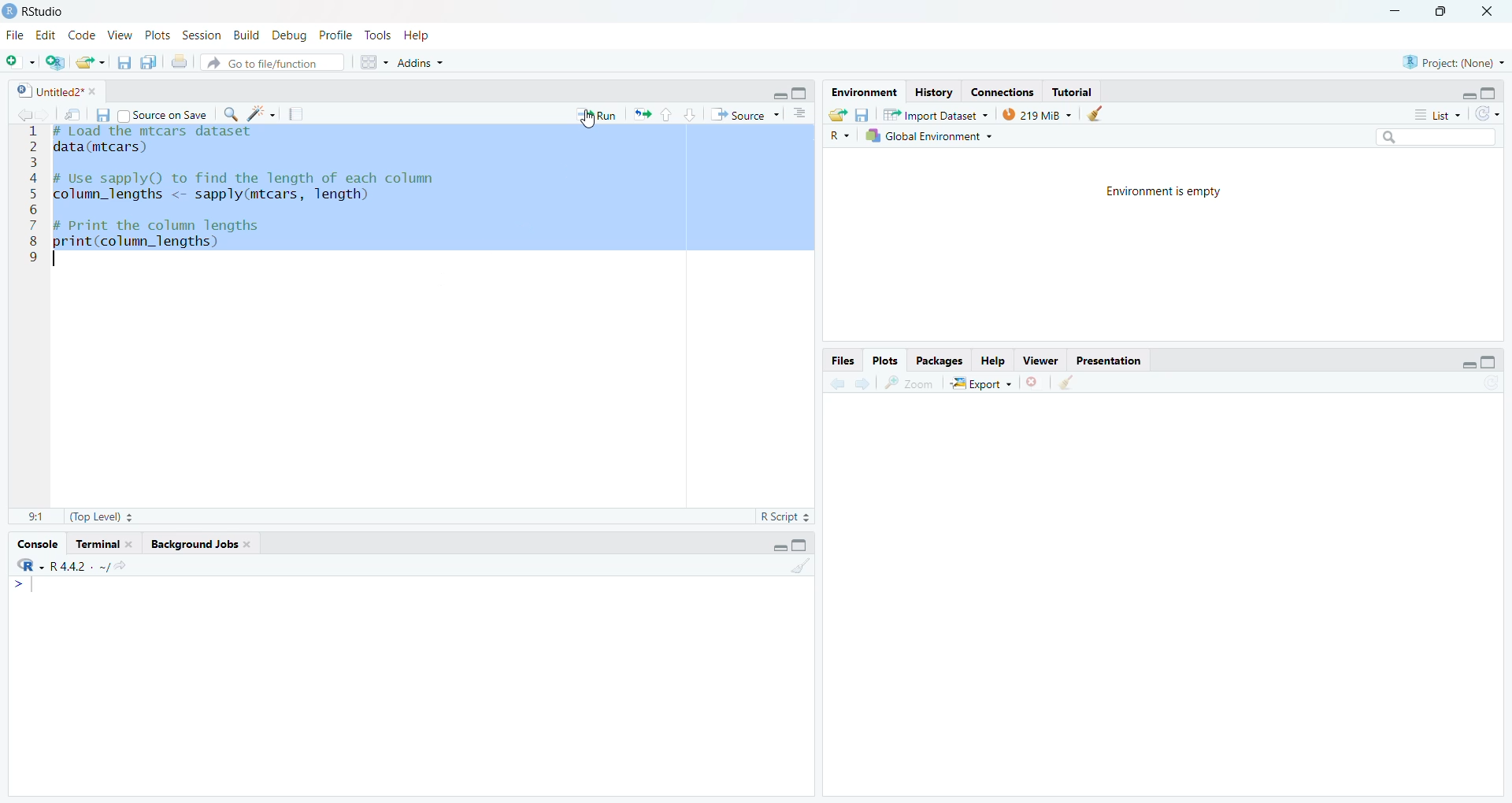 This screenshot has width=1512, height=803. I want to click on Open in new window, so click(74, 113).